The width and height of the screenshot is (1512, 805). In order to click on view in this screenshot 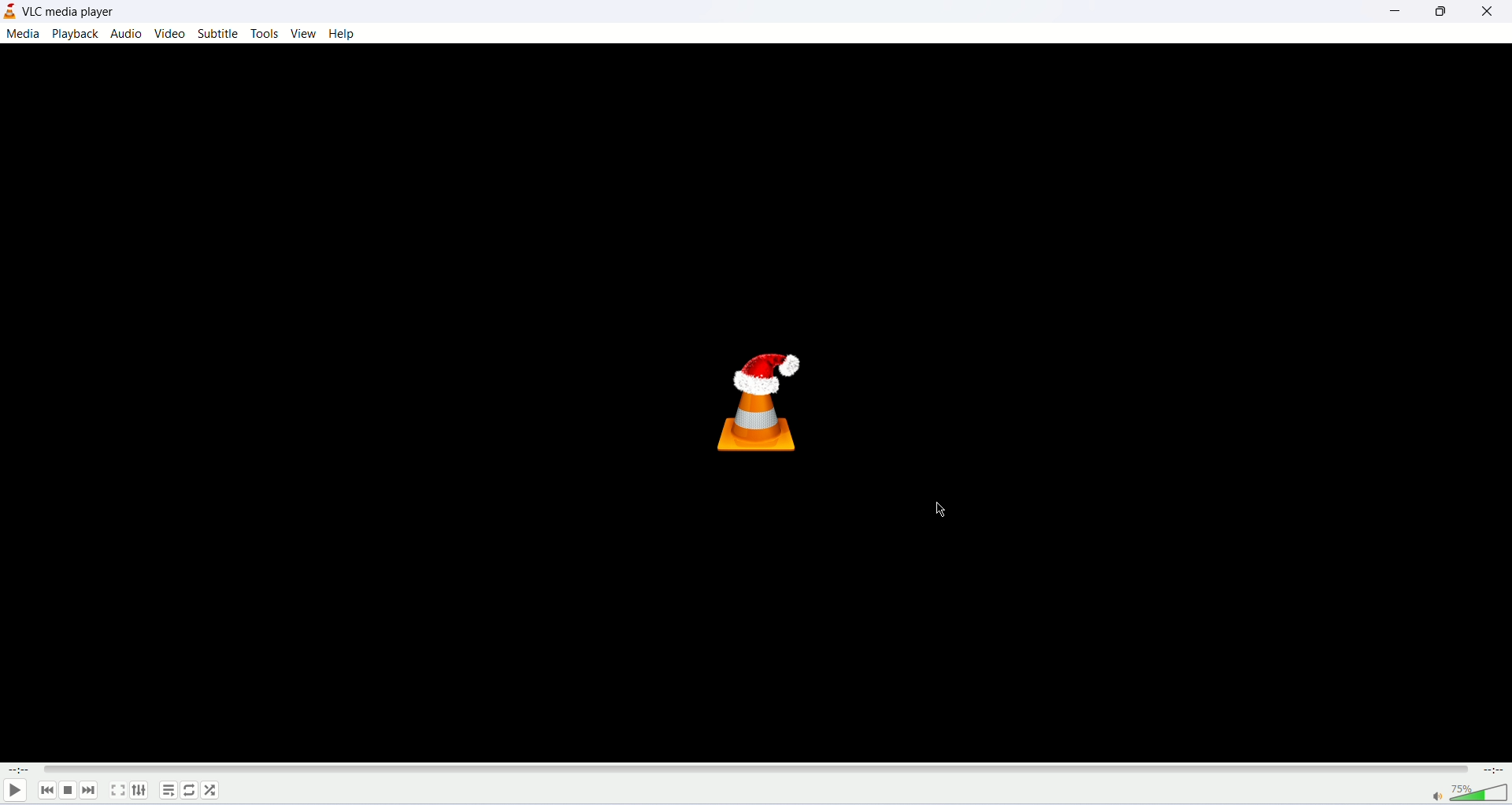, I will do `click(303, 33)`.